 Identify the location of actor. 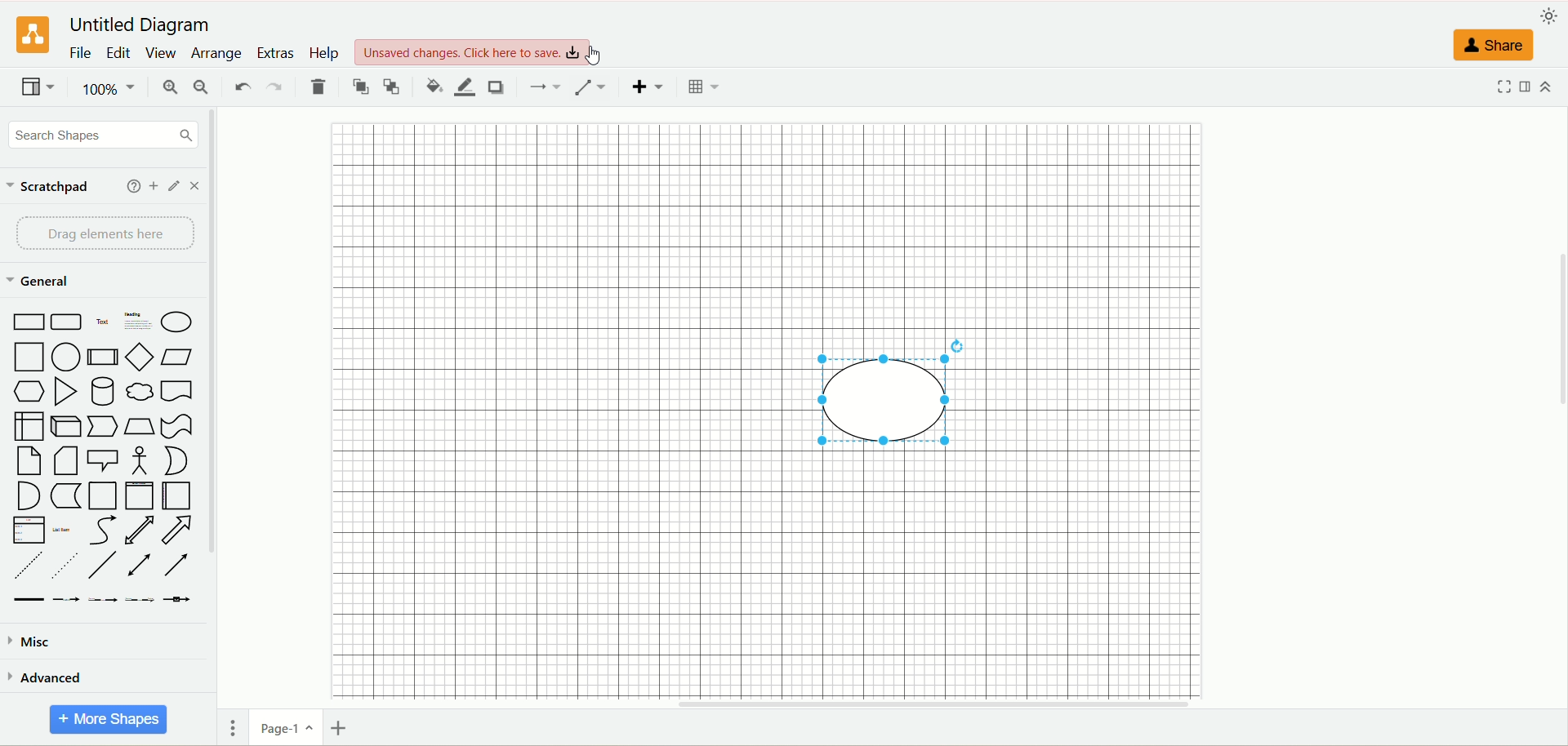
(138, 460).